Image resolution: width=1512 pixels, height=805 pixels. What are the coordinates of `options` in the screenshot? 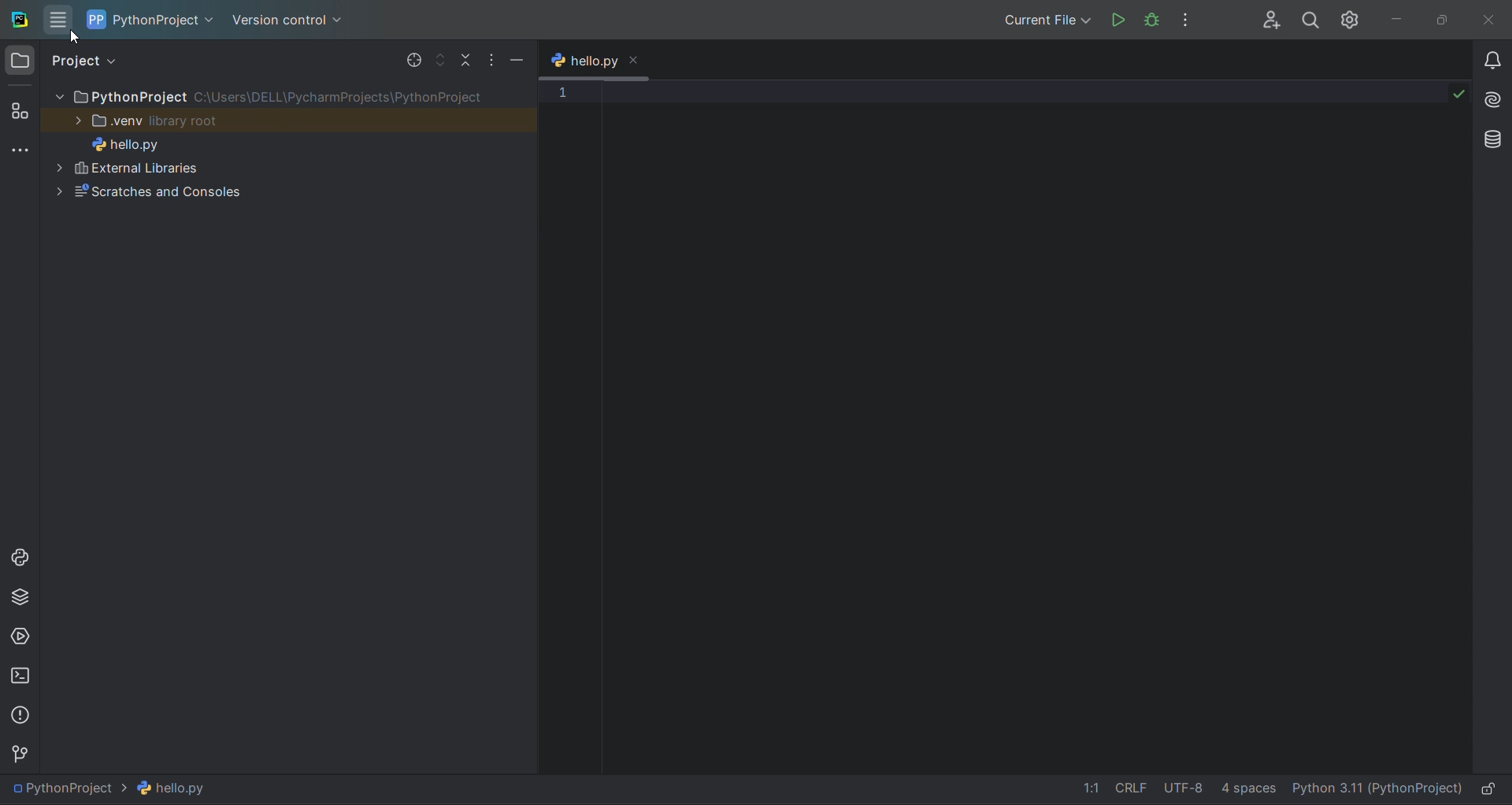 It's located at (495, 61).